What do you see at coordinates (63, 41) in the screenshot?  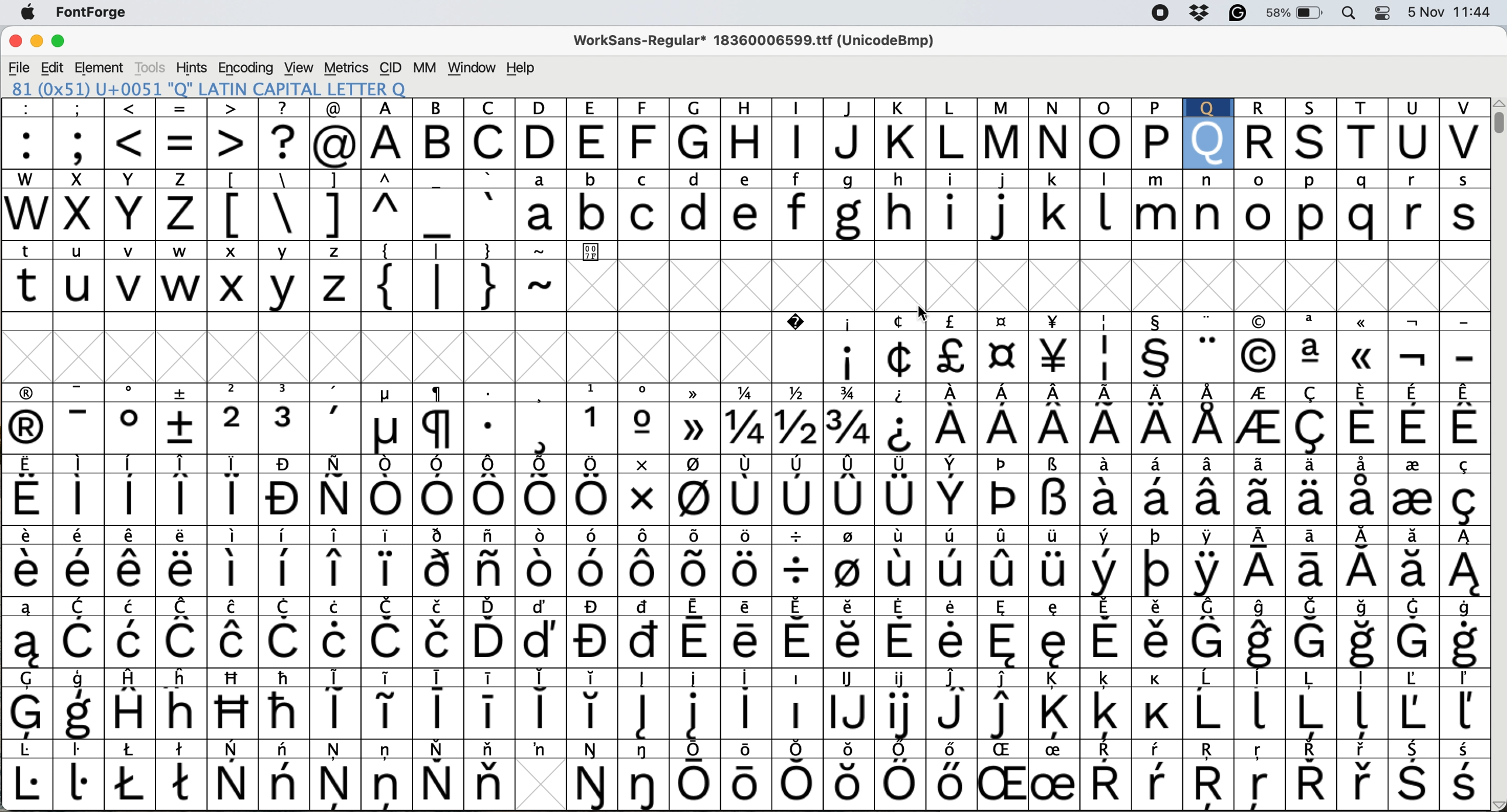 I see `maximise` at bounding box center [63, 41].